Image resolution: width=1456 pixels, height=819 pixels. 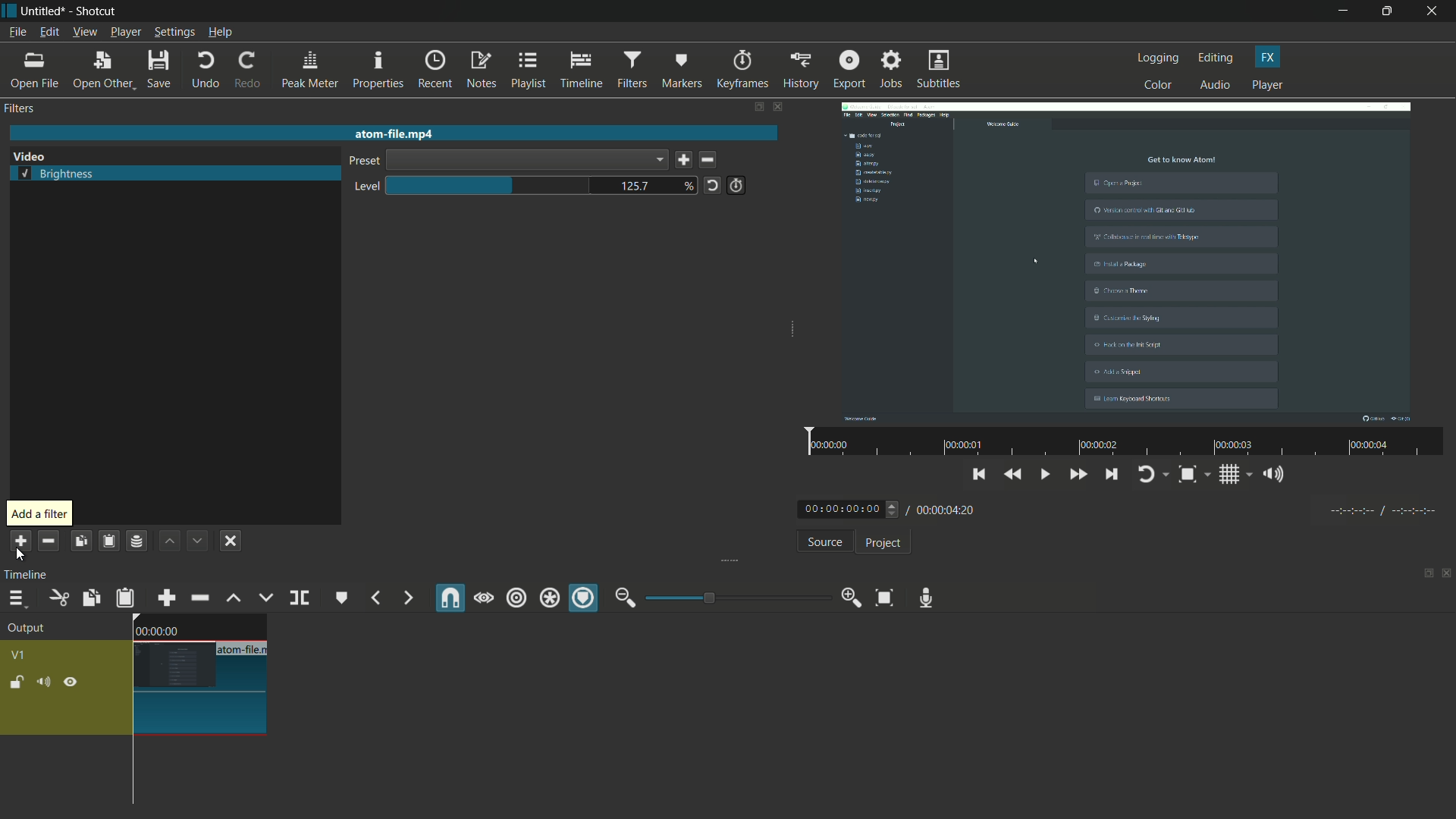 What do you see at coordinates (1193, 475) in the screenshot?
I see `toggle zoom` at bounding box center [1193, 475].